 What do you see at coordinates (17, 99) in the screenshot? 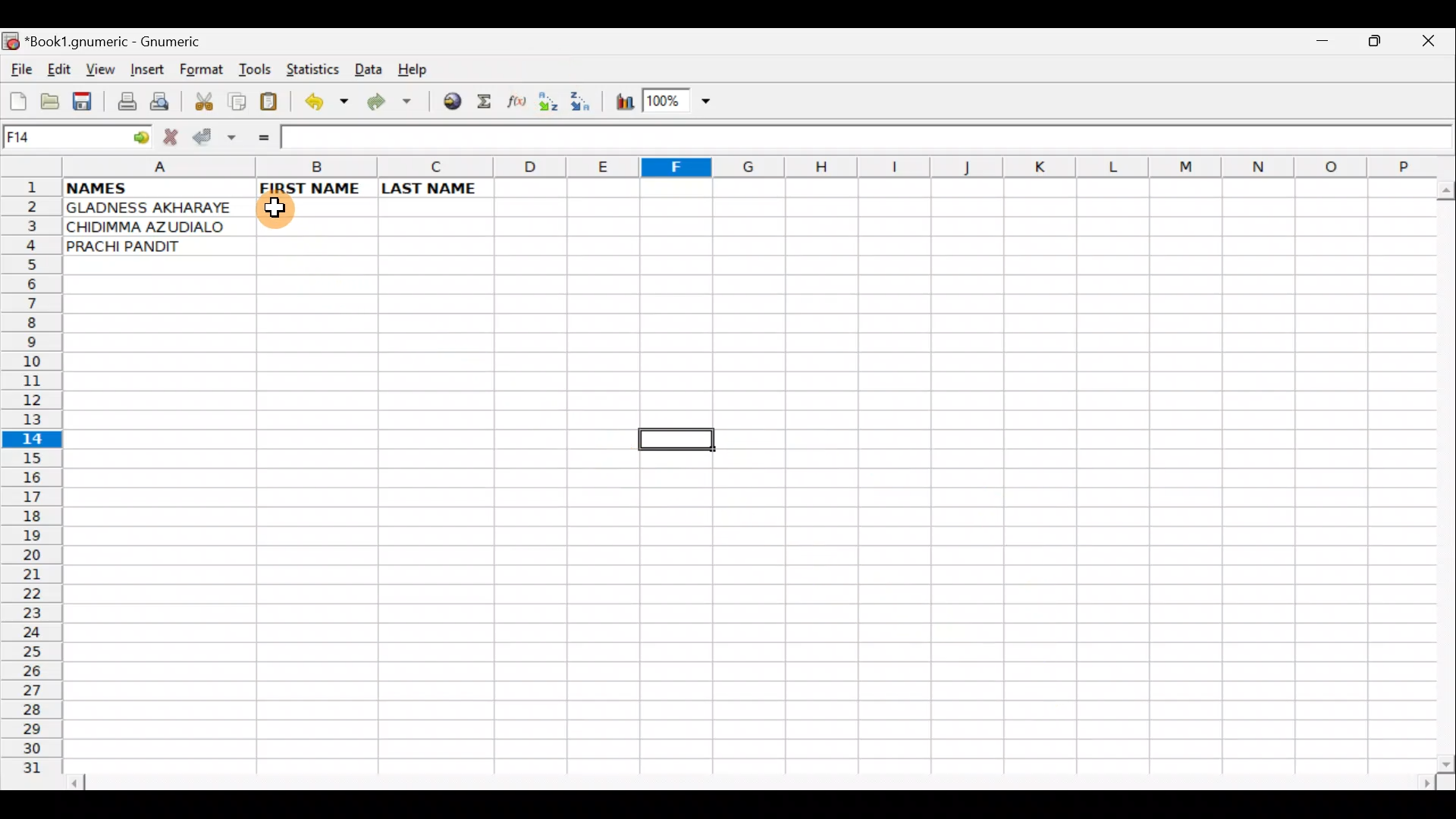
I see `Create new workbook` at bounding box center [17, 99].